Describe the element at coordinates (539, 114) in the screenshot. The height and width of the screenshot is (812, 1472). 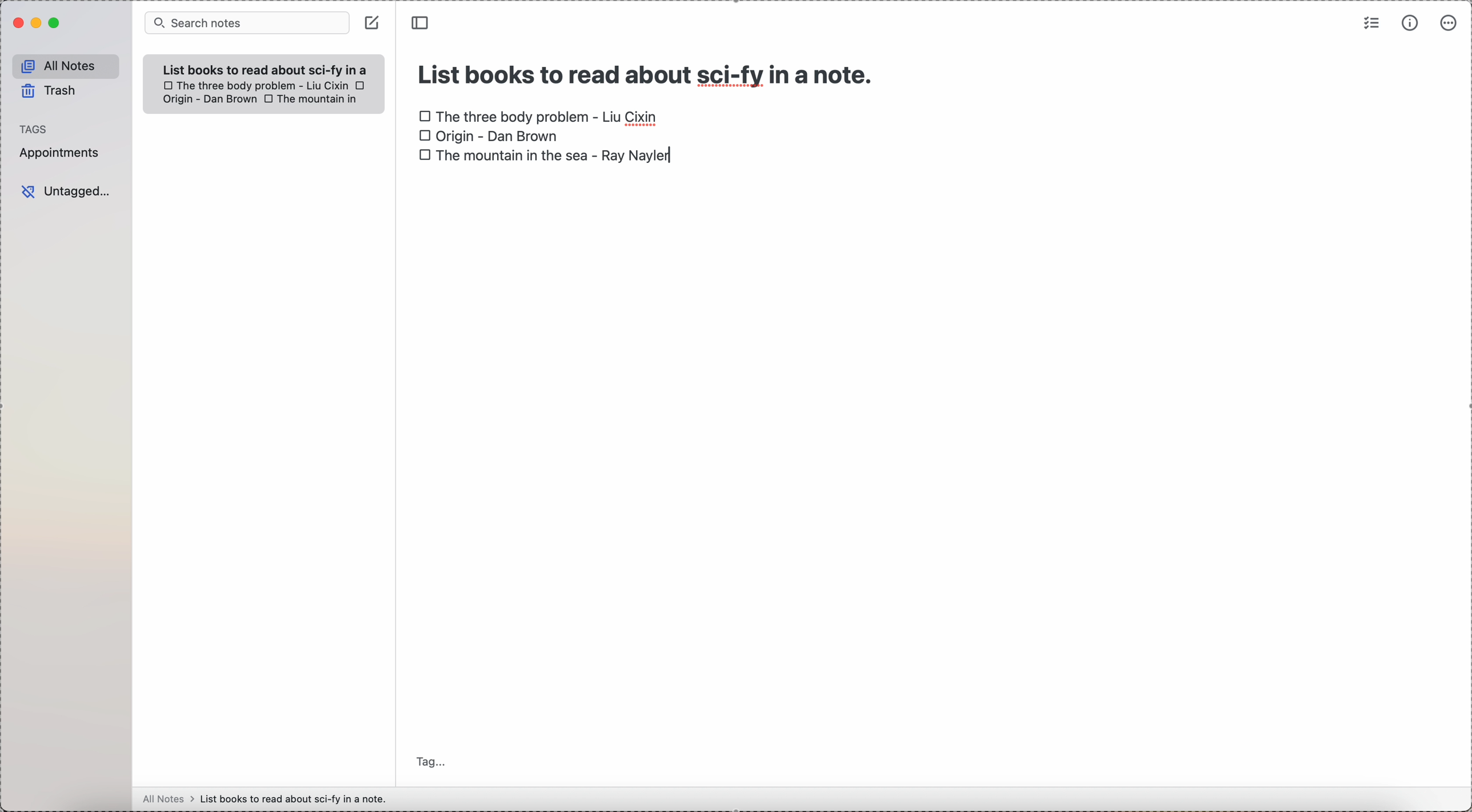
I see `checkbox The Three body problem - Liu Cixin book` at that location.